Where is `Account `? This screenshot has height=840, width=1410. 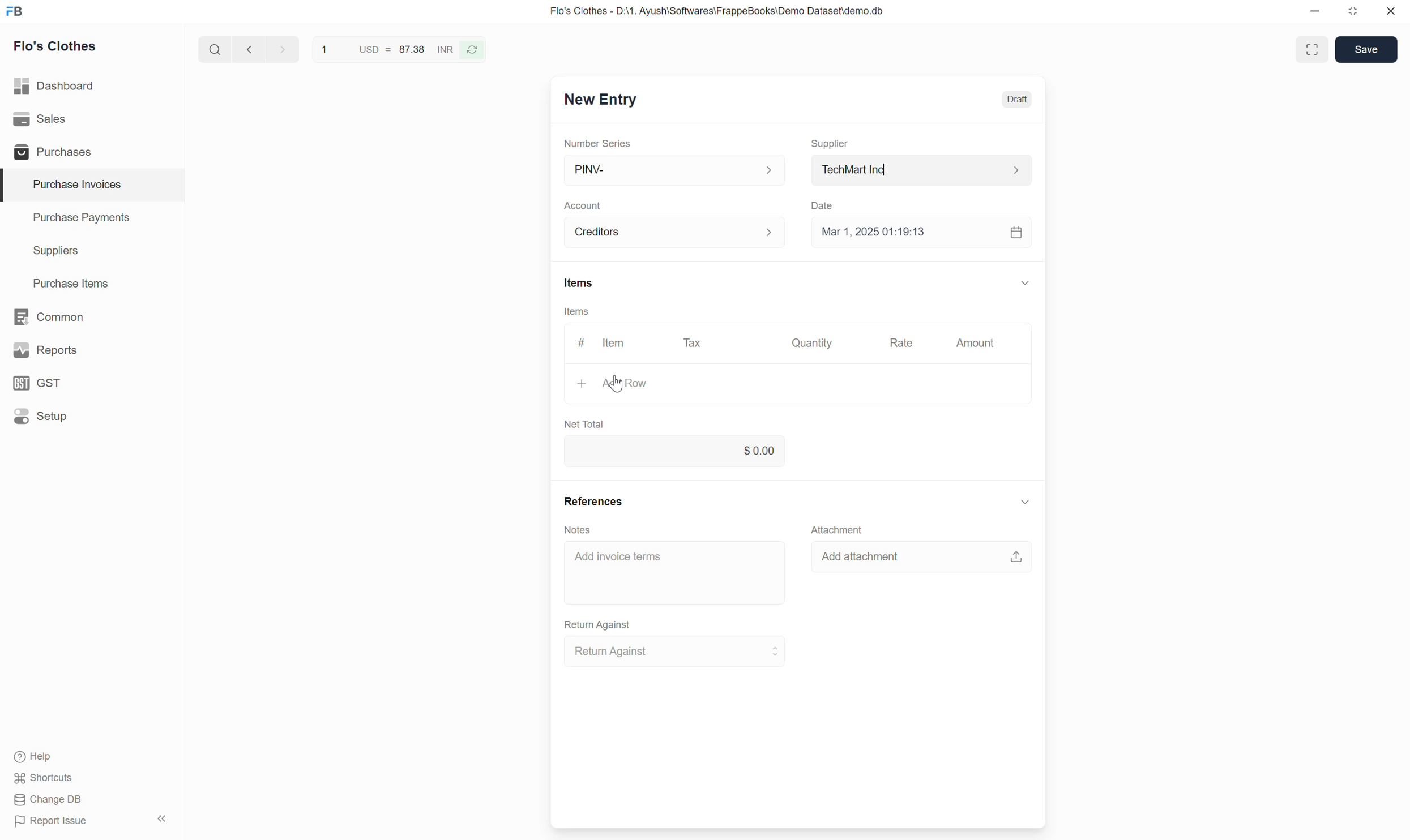
Account  is located at coordinates (675, 230).